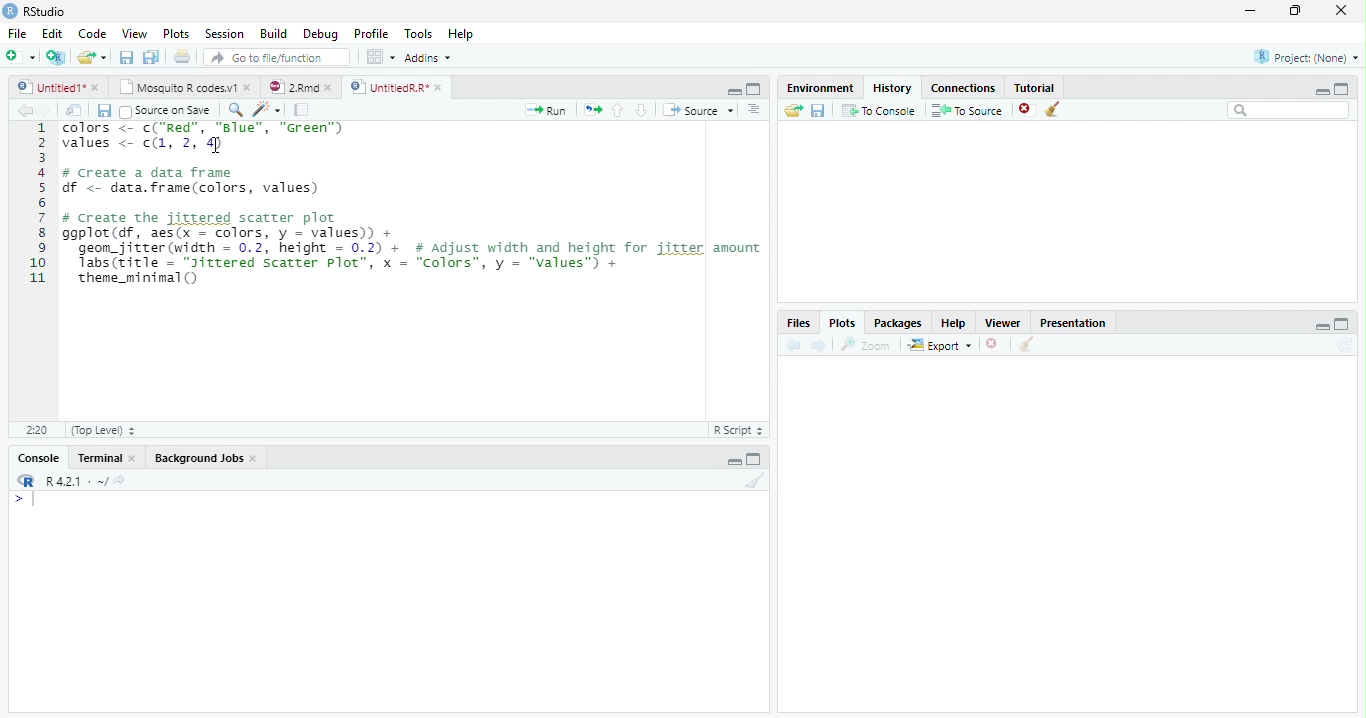 This screenshot has height=718, width=1366. I want to click on Create a project, so click(55, 57).